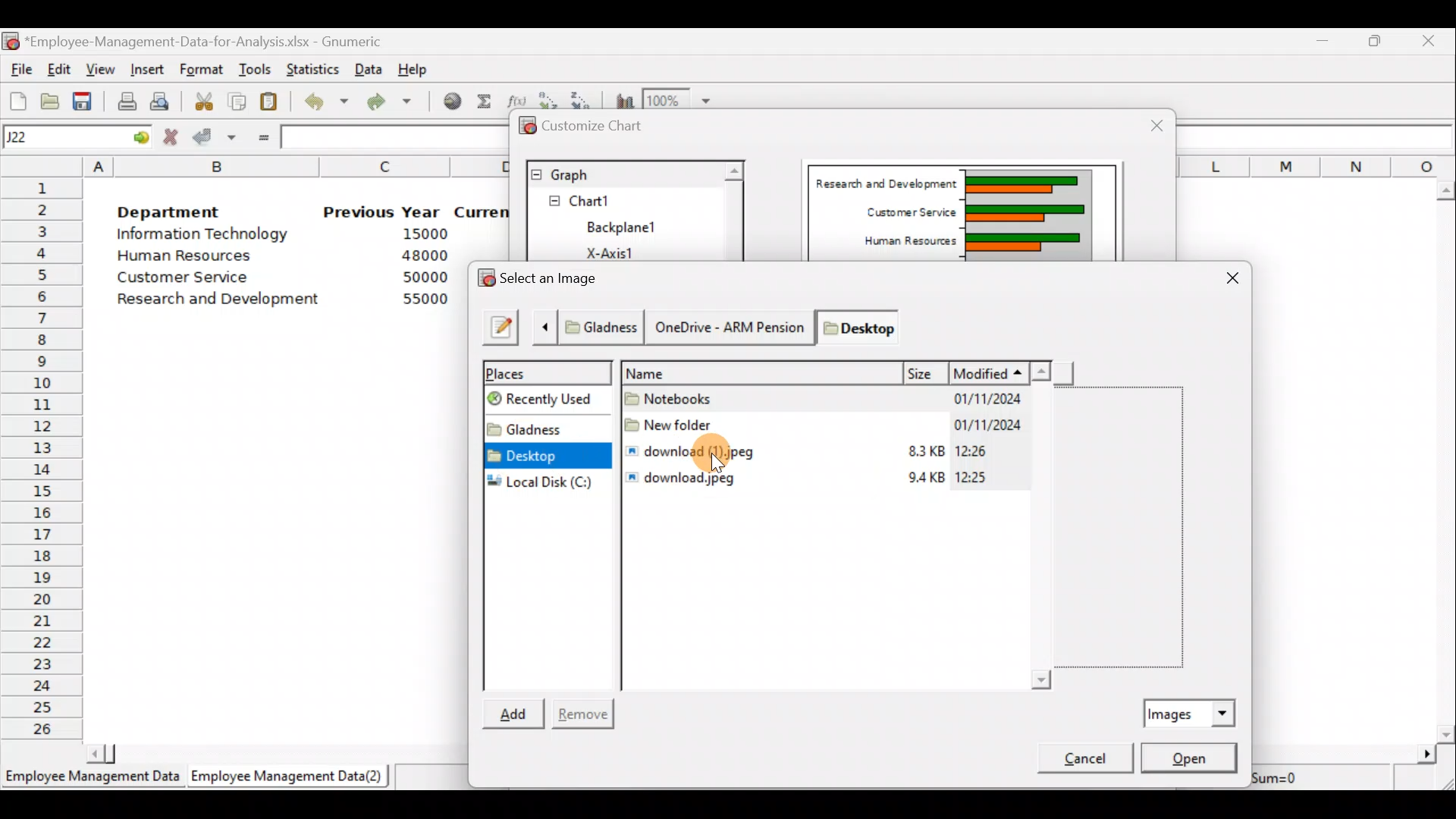 This screenshot has height=819, width=1456. Describe the element at coordinates (423, 300) in the screenshot. I see `55000` at that location.